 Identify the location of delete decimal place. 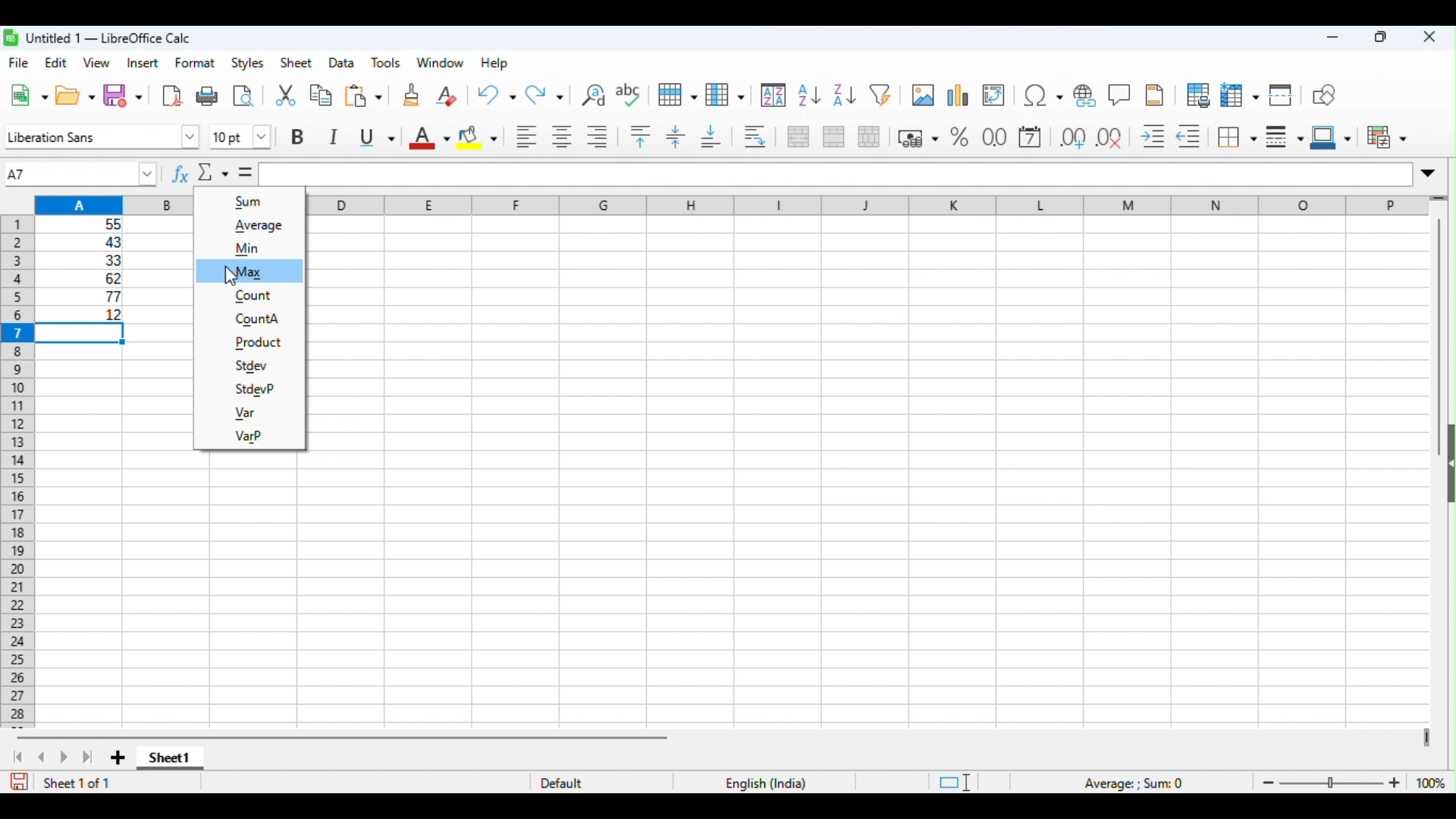
(1112, 137).